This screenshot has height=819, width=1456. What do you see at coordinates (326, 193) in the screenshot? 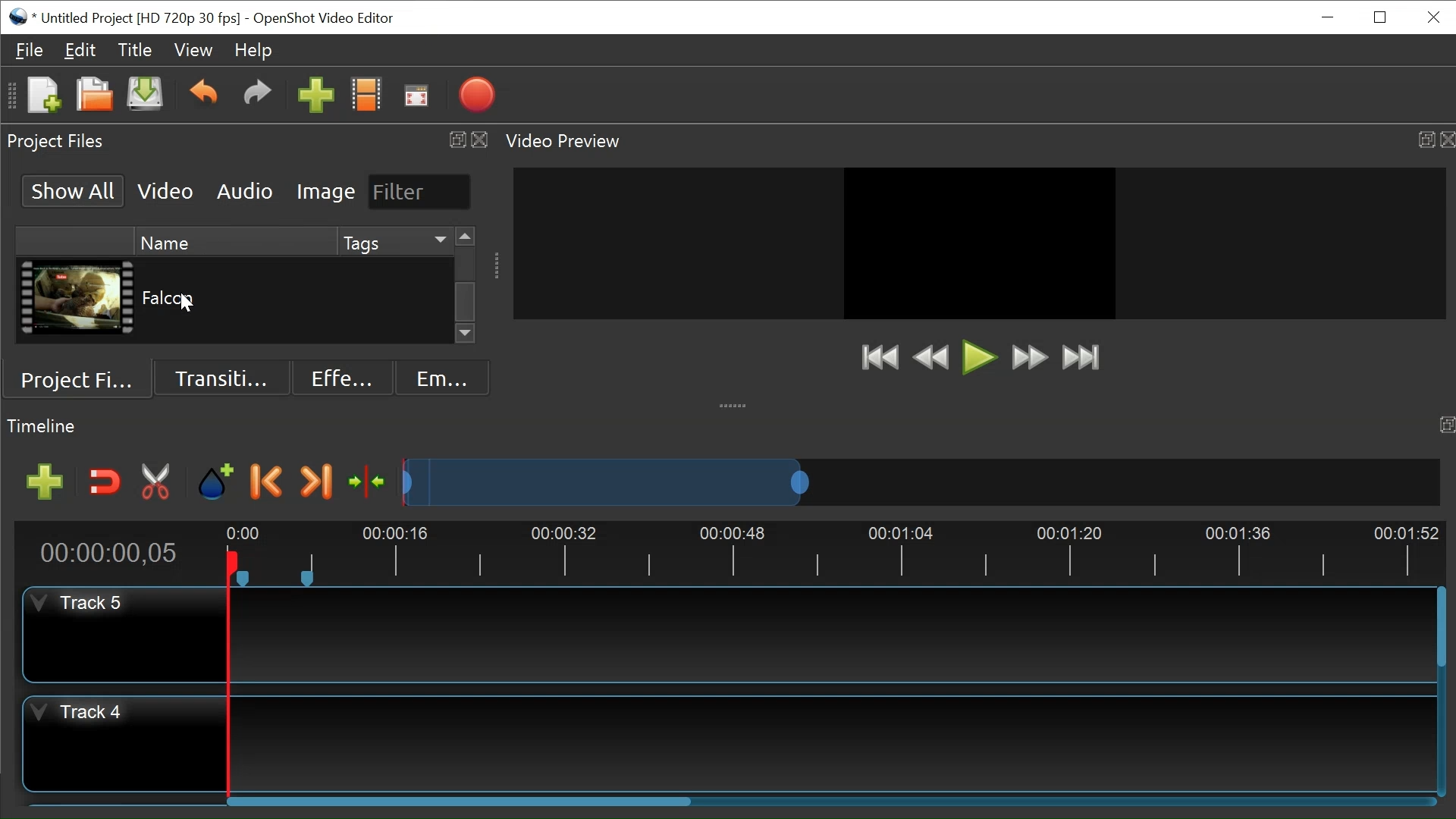
I see `Image` at bounding box center [326, 193].